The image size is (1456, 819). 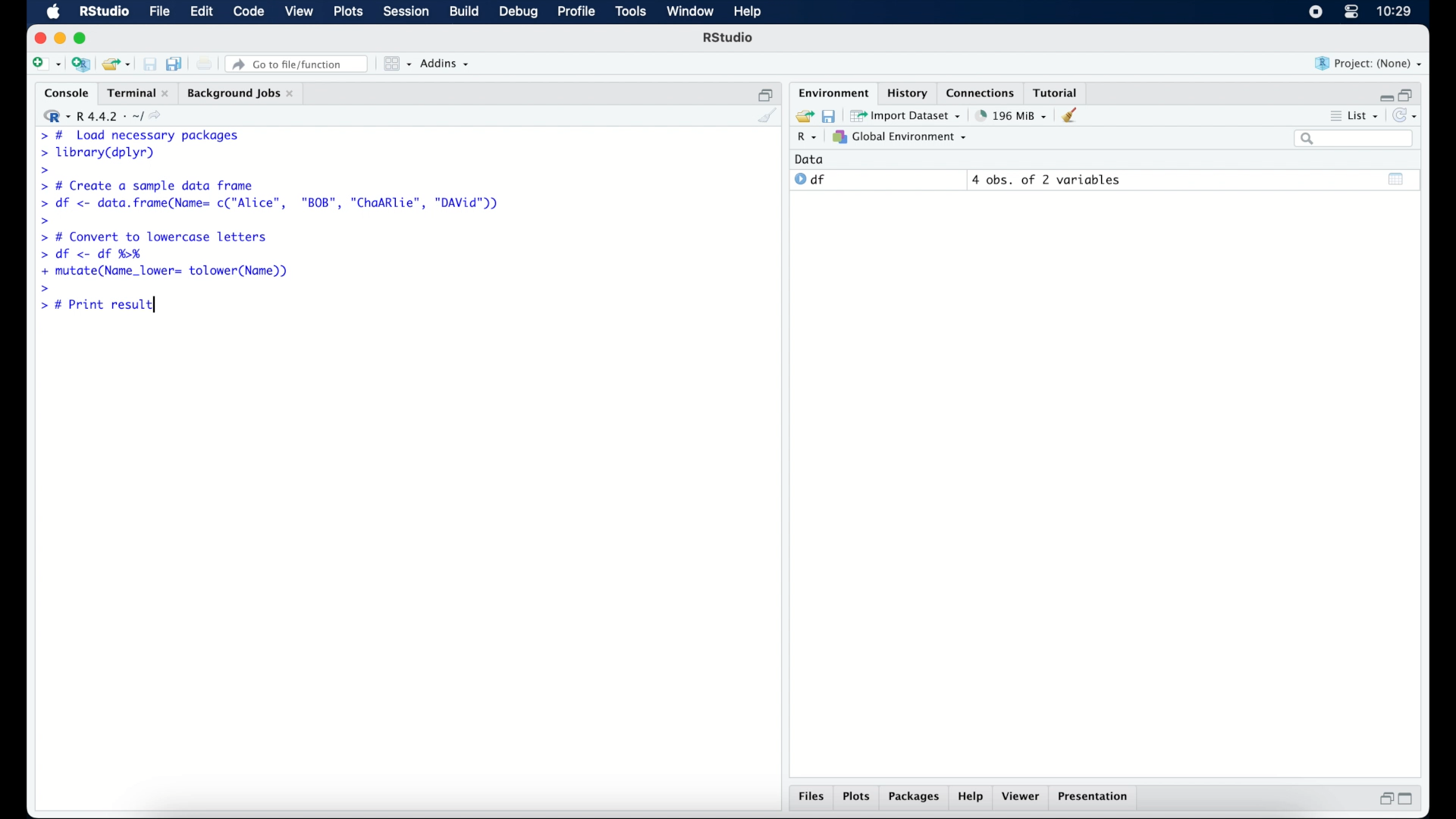 I want to click on list, so click(x=1353, y=118).